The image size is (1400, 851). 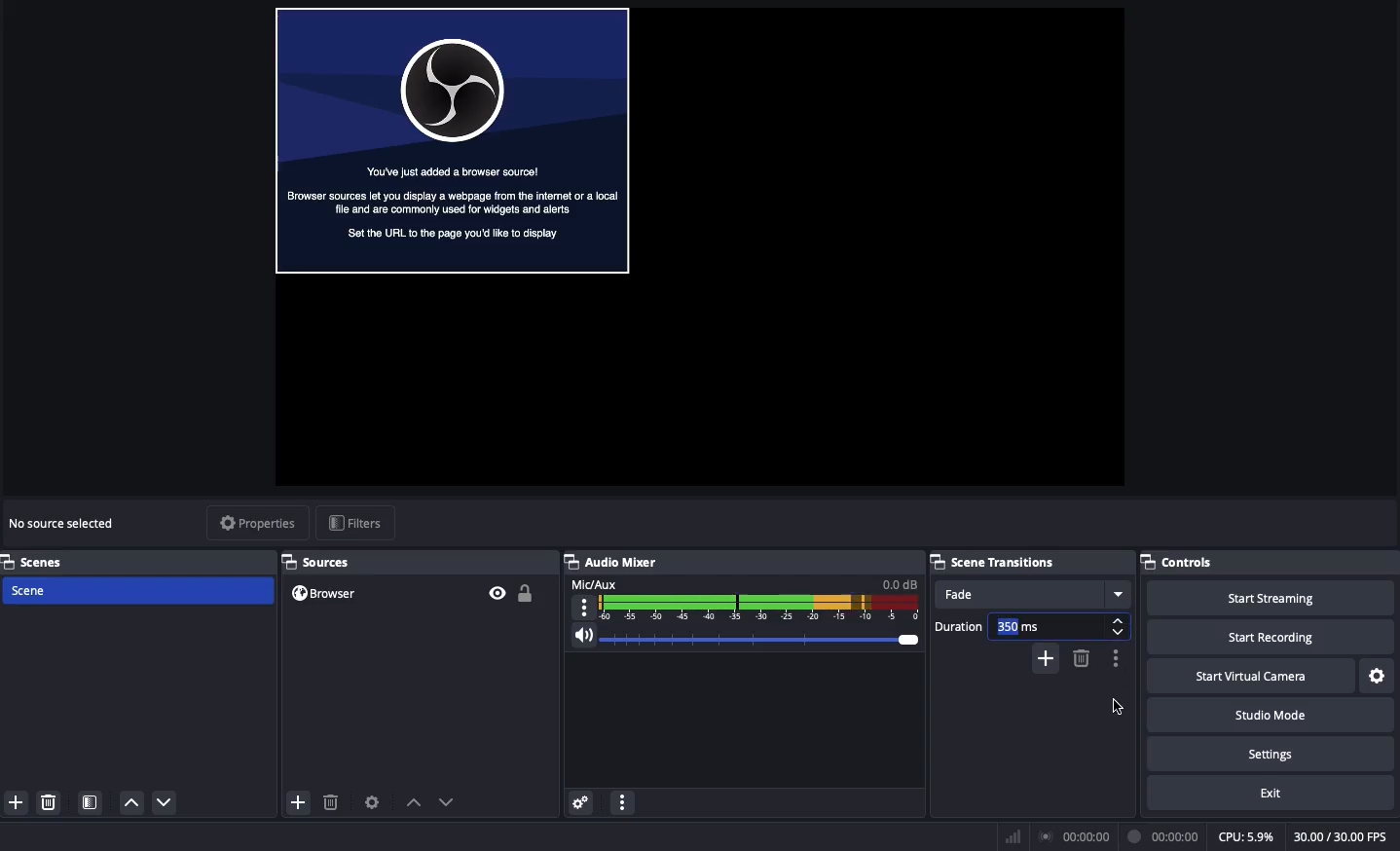 I want to click on Scene transitions, so click(x=996, y=564).